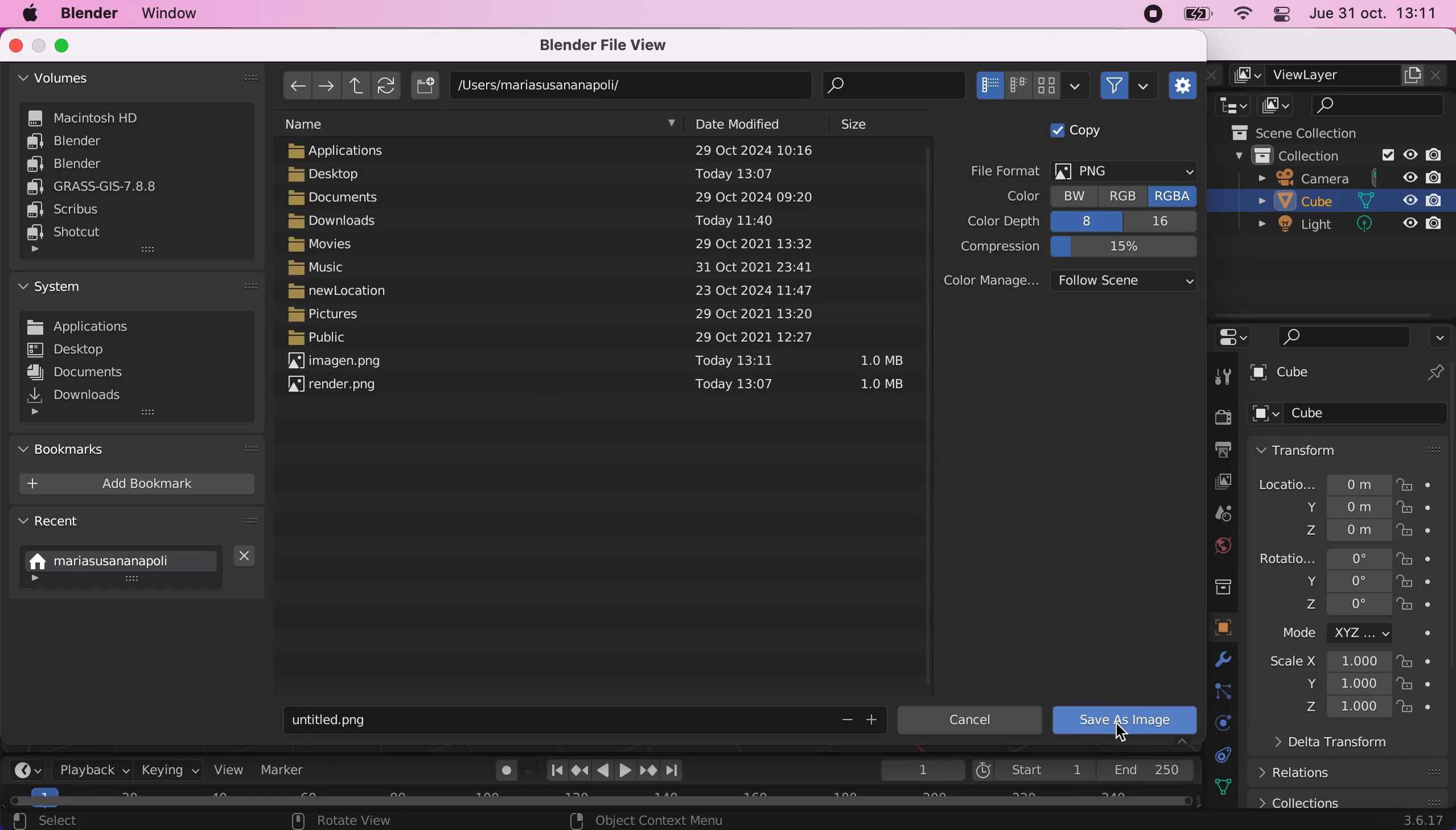 The height and width of the screenshot is (830, 1456). What do you see at coordinates (630, 86) in the screenshot?
I see `document location` at bounding box center [630, 86].